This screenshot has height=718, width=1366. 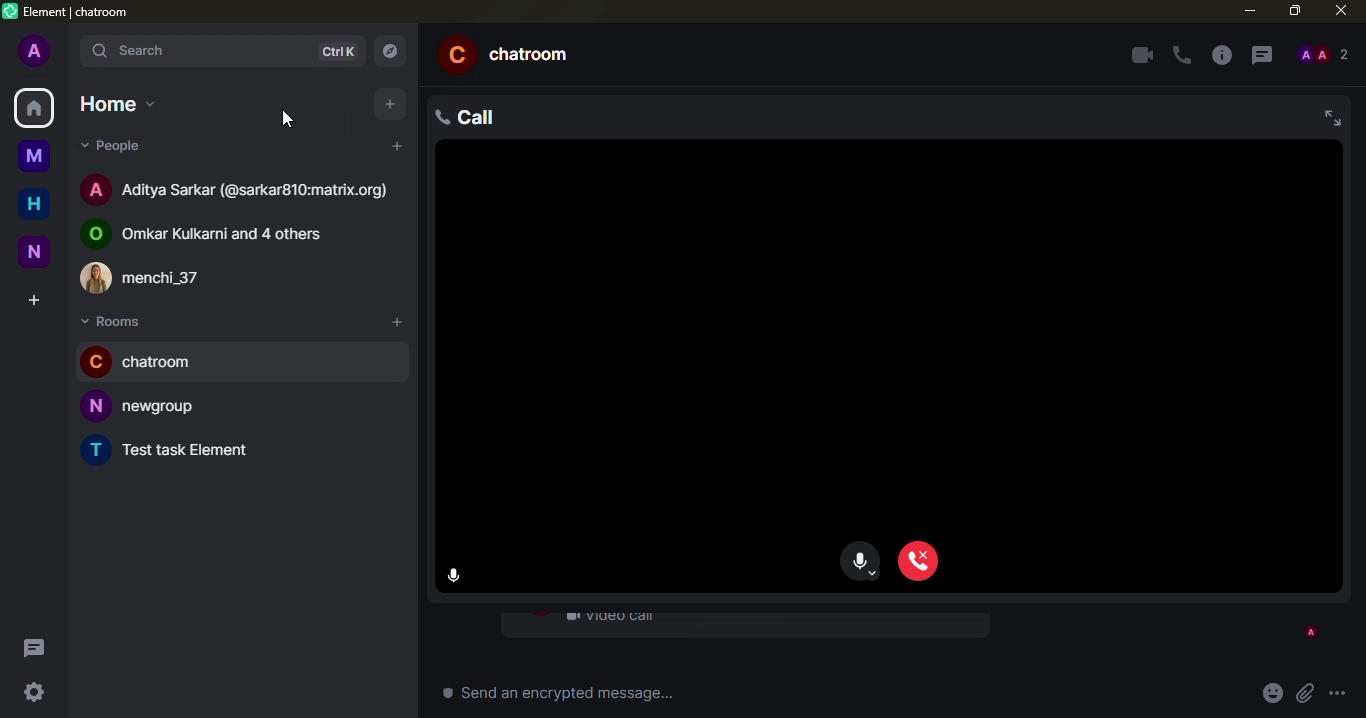 I want to click on create space, so click(x=34, y=299).